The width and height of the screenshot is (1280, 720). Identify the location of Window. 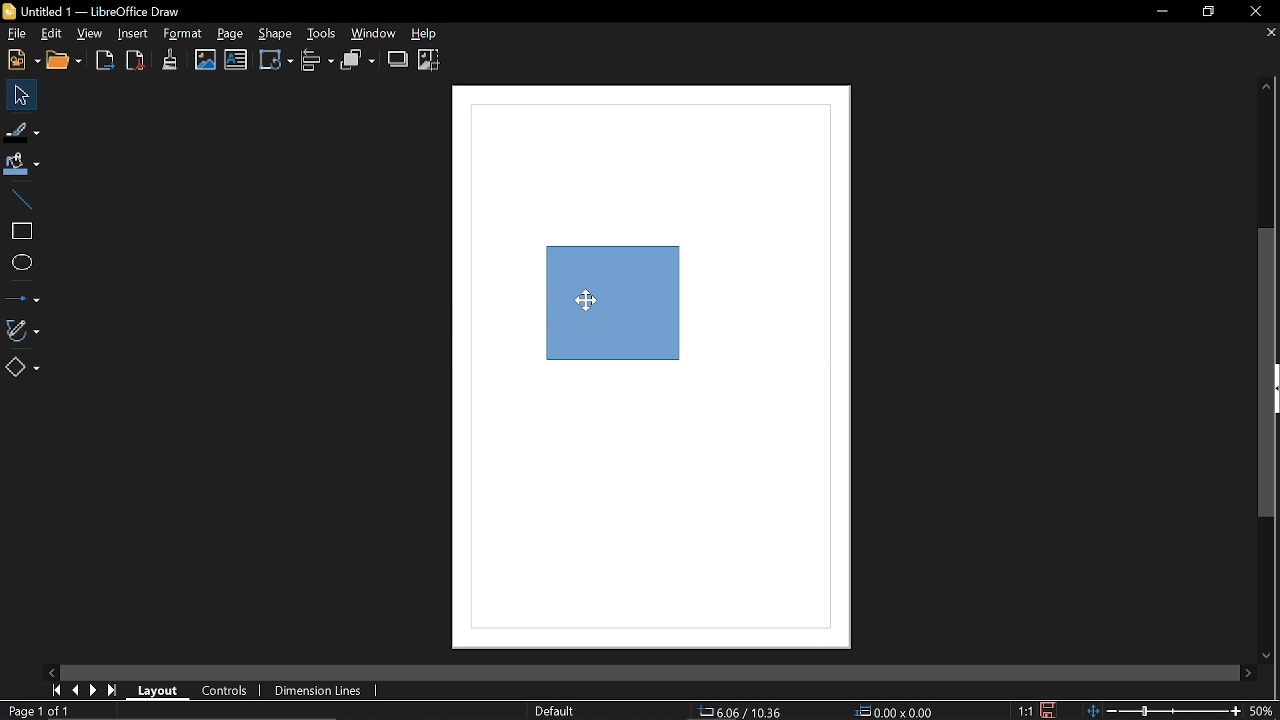
(374, 33).